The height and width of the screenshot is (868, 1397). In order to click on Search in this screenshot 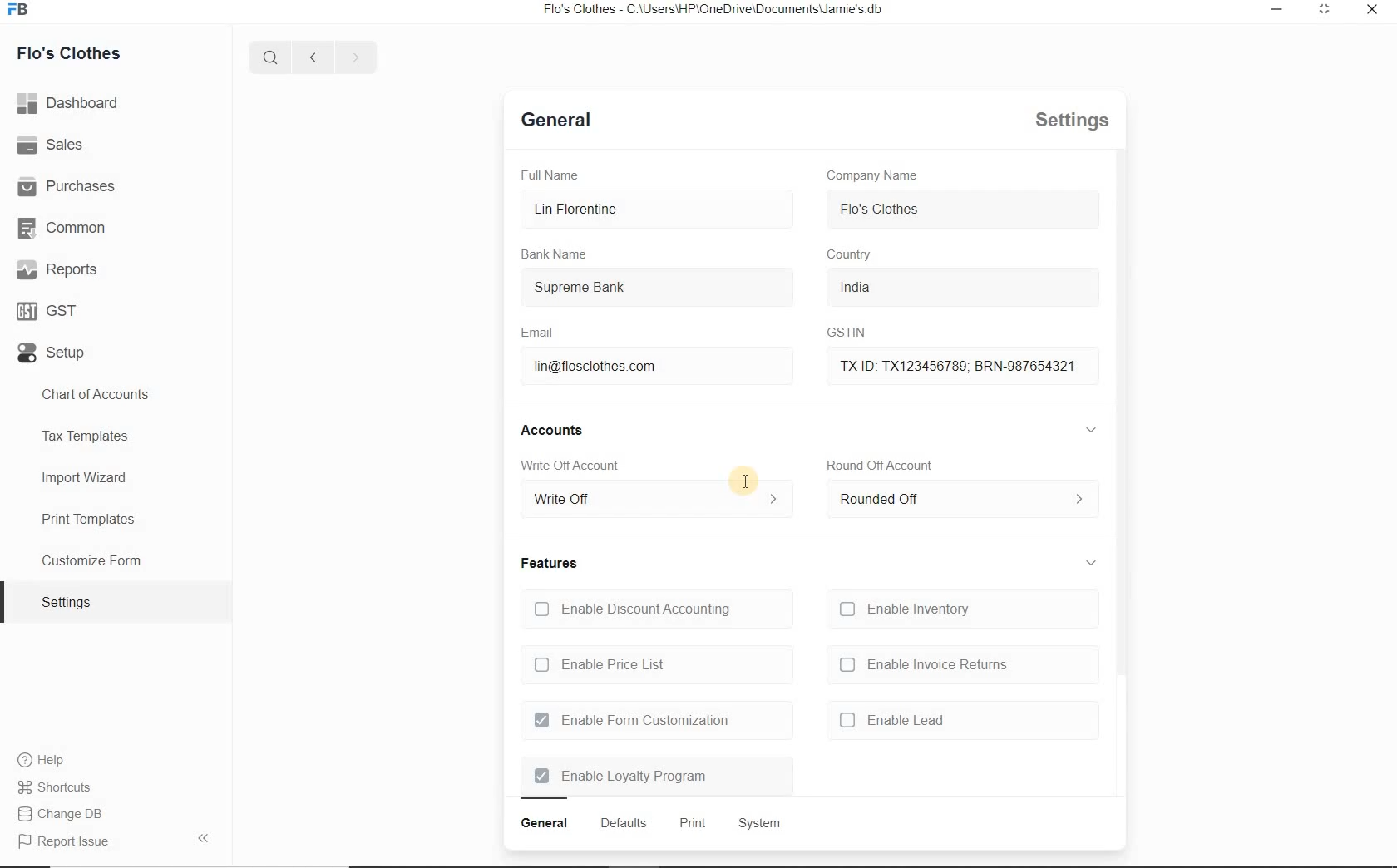, I will do `click(268, 55)`.